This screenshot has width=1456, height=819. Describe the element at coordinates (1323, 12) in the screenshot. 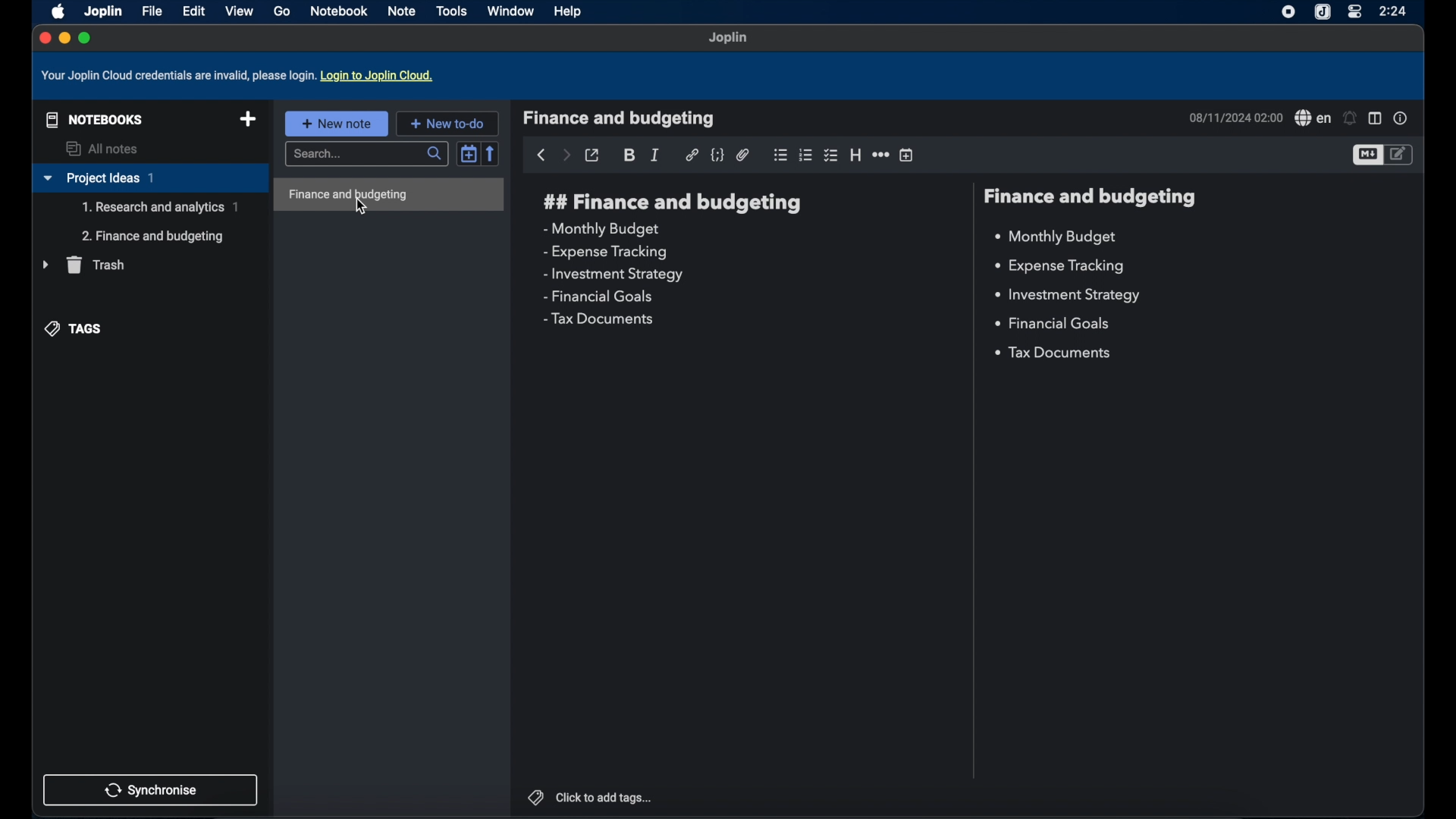

I see `joplin icon` at that location.